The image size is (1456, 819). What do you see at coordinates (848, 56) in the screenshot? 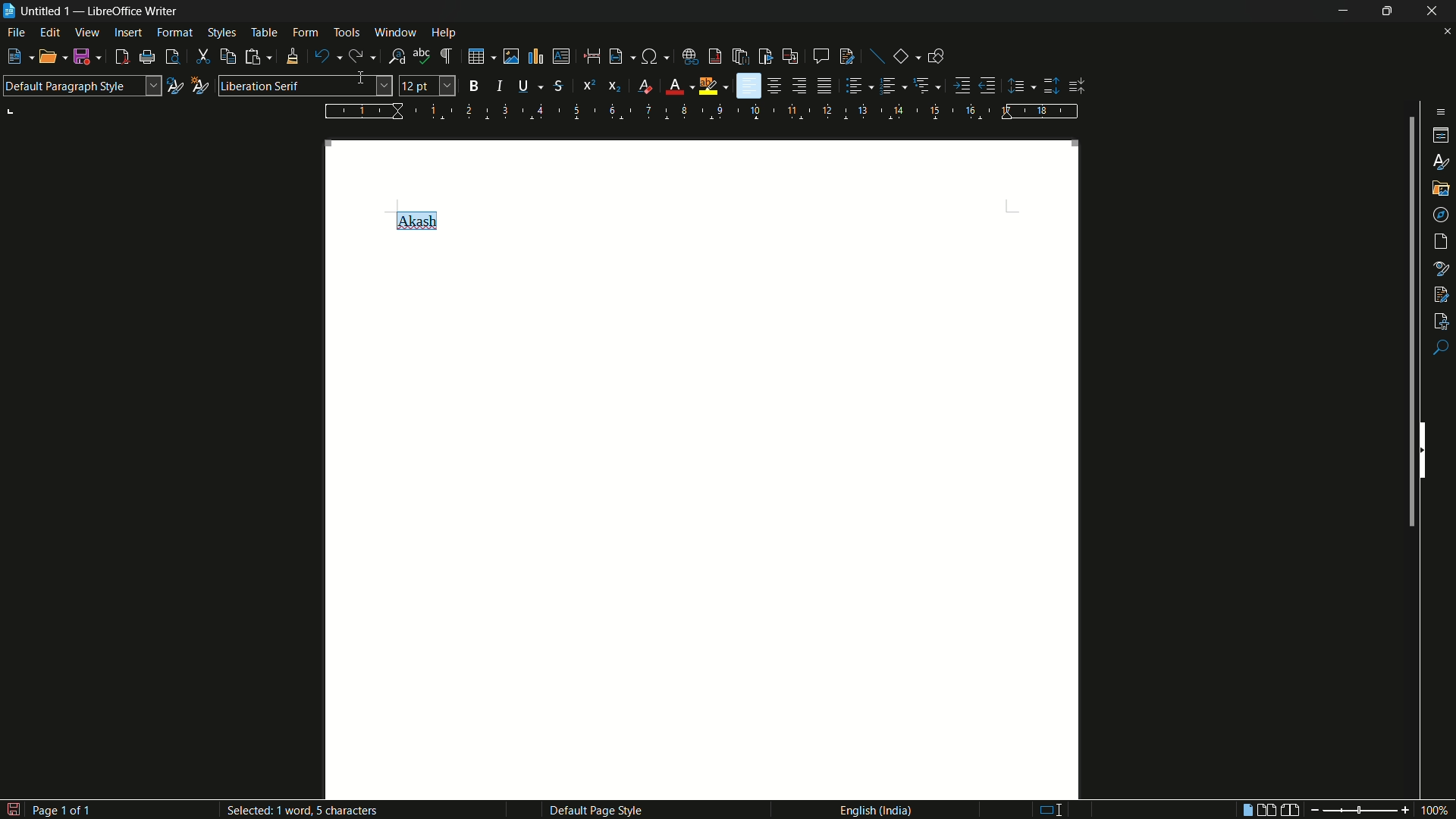
I see `show track changes functions` at bounding box center [848, 56].